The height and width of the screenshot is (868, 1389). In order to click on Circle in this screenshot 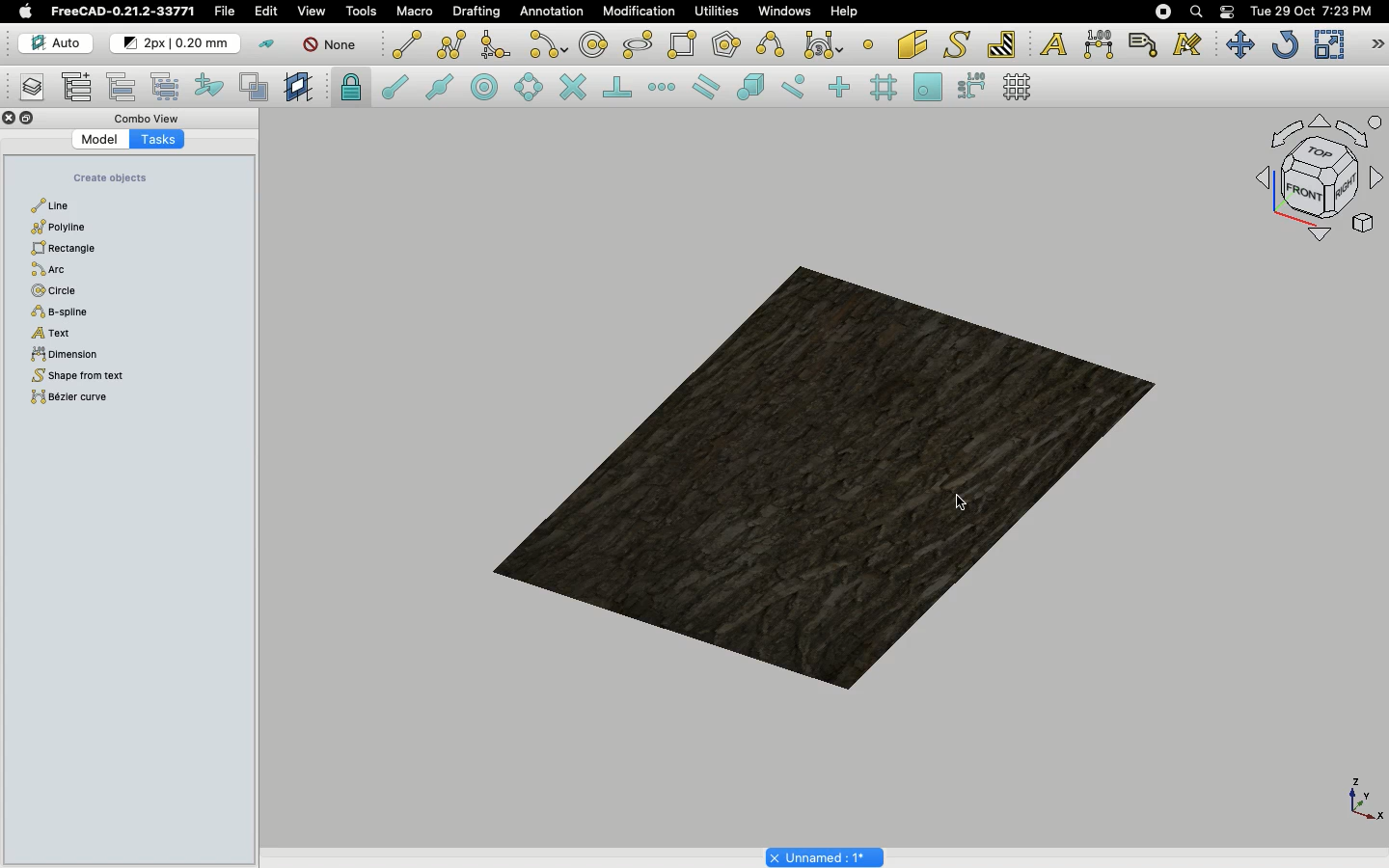, I will do `click(593, 44)`.